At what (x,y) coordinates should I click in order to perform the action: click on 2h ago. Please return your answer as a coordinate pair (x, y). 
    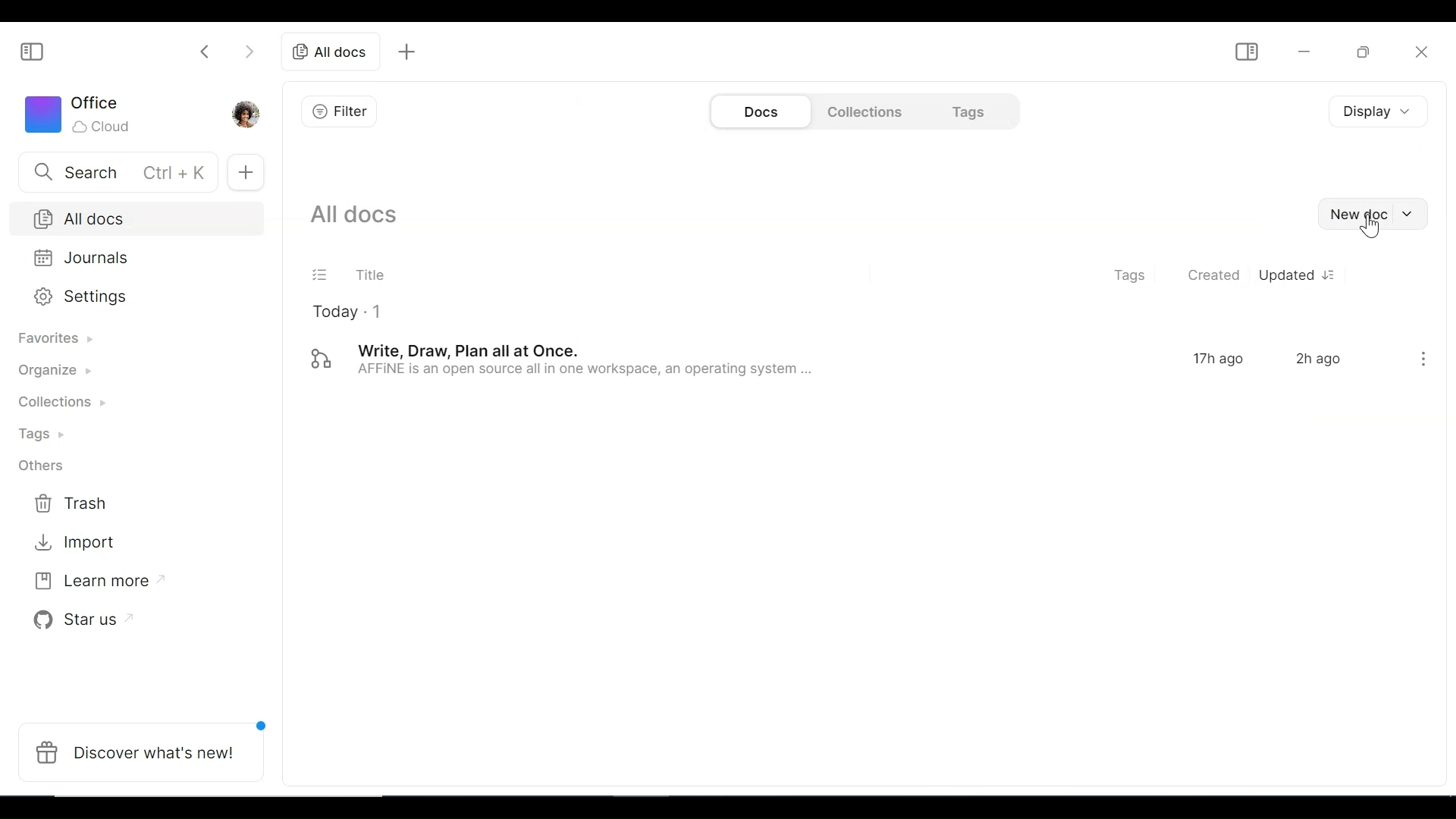
    Looking at the image, I should click on (1319, 359).